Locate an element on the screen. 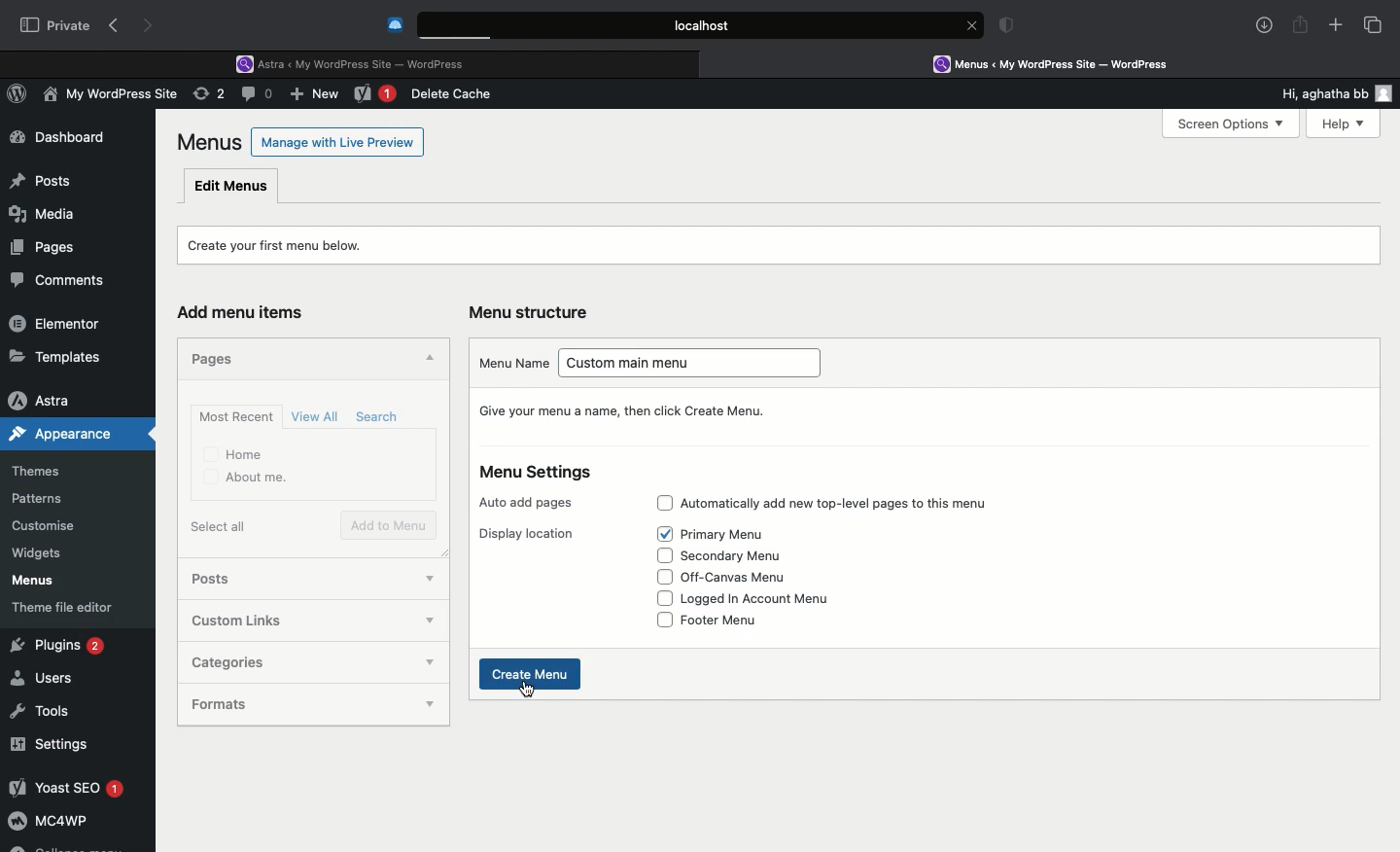 This screenshot has width=1400, height=852. Footer menu is located at coordinates (736, 619).